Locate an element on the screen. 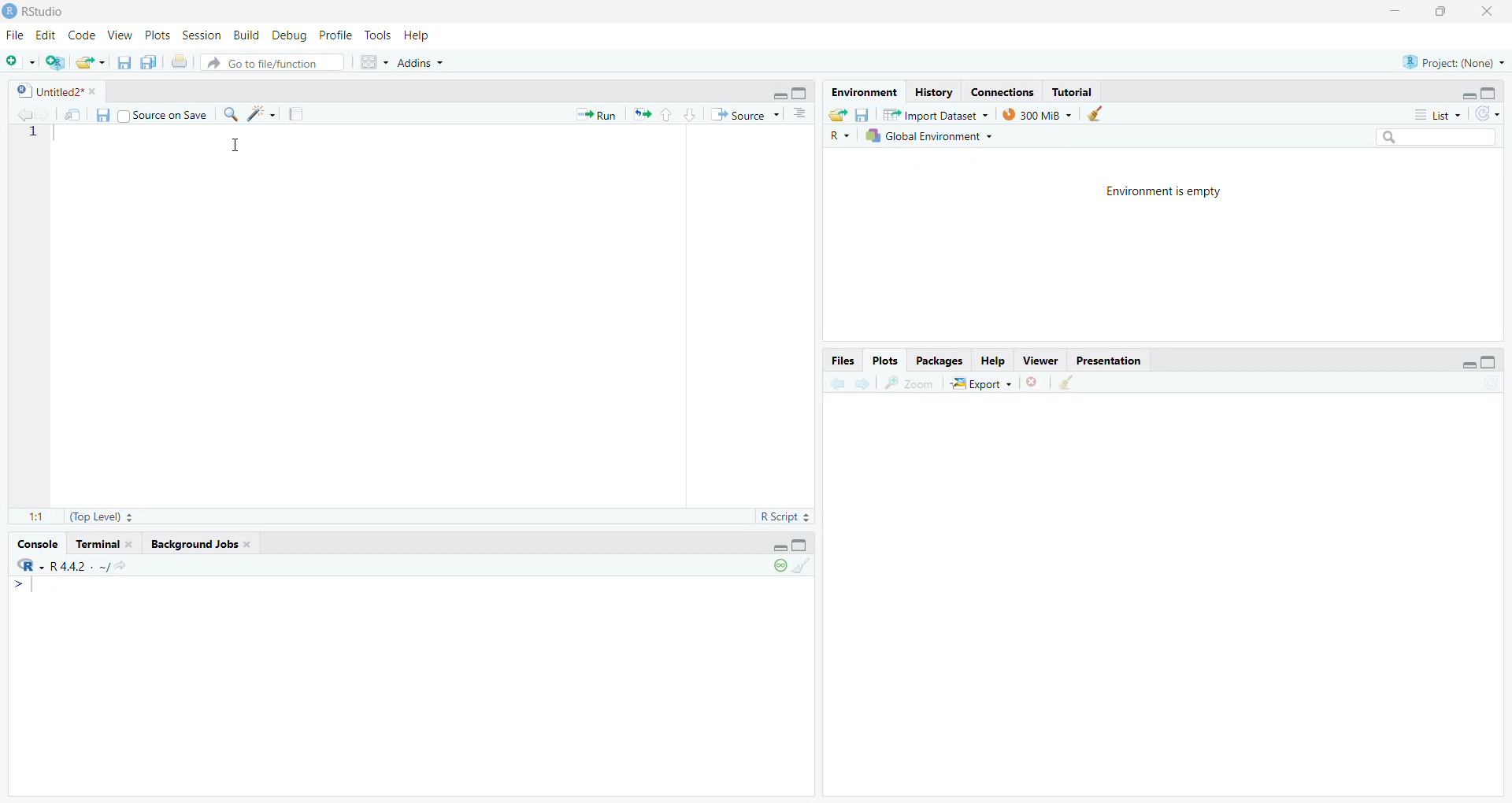 The width and height of the screenshot is (1512, 803). Environment is located at coordinates (862, 92).